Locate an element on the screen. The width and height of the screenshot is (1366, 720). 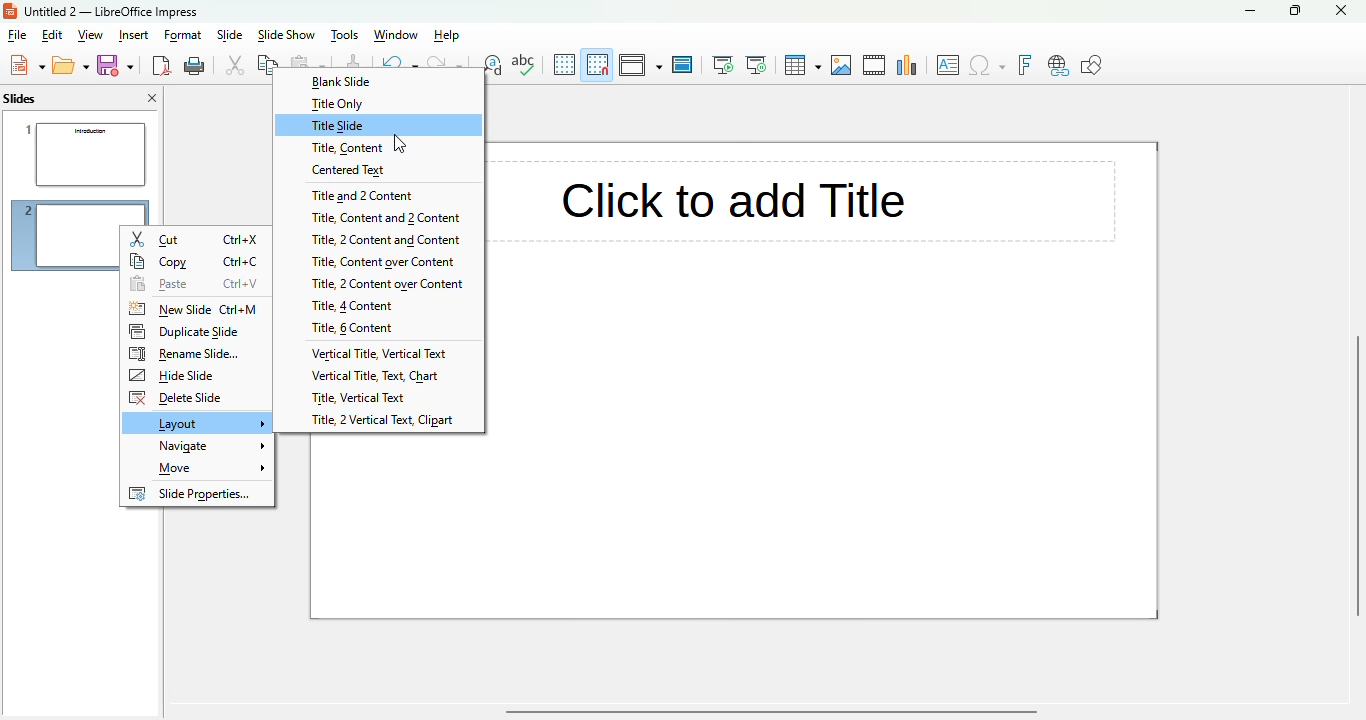
slide 1 selected is located at coordinates (80, 151).